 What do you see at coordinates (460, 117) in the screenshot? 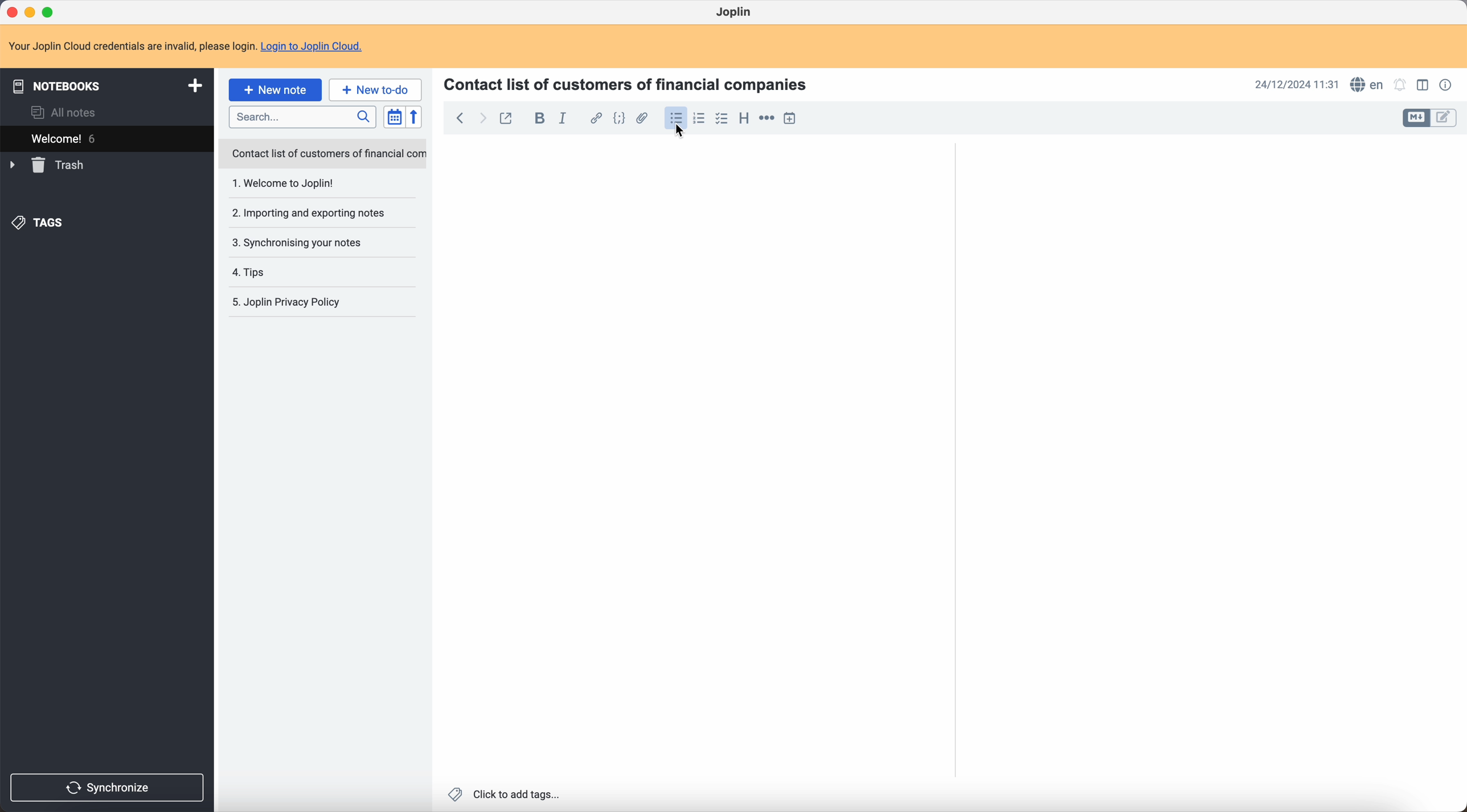
I see `back` at bounding box center [460, 117].